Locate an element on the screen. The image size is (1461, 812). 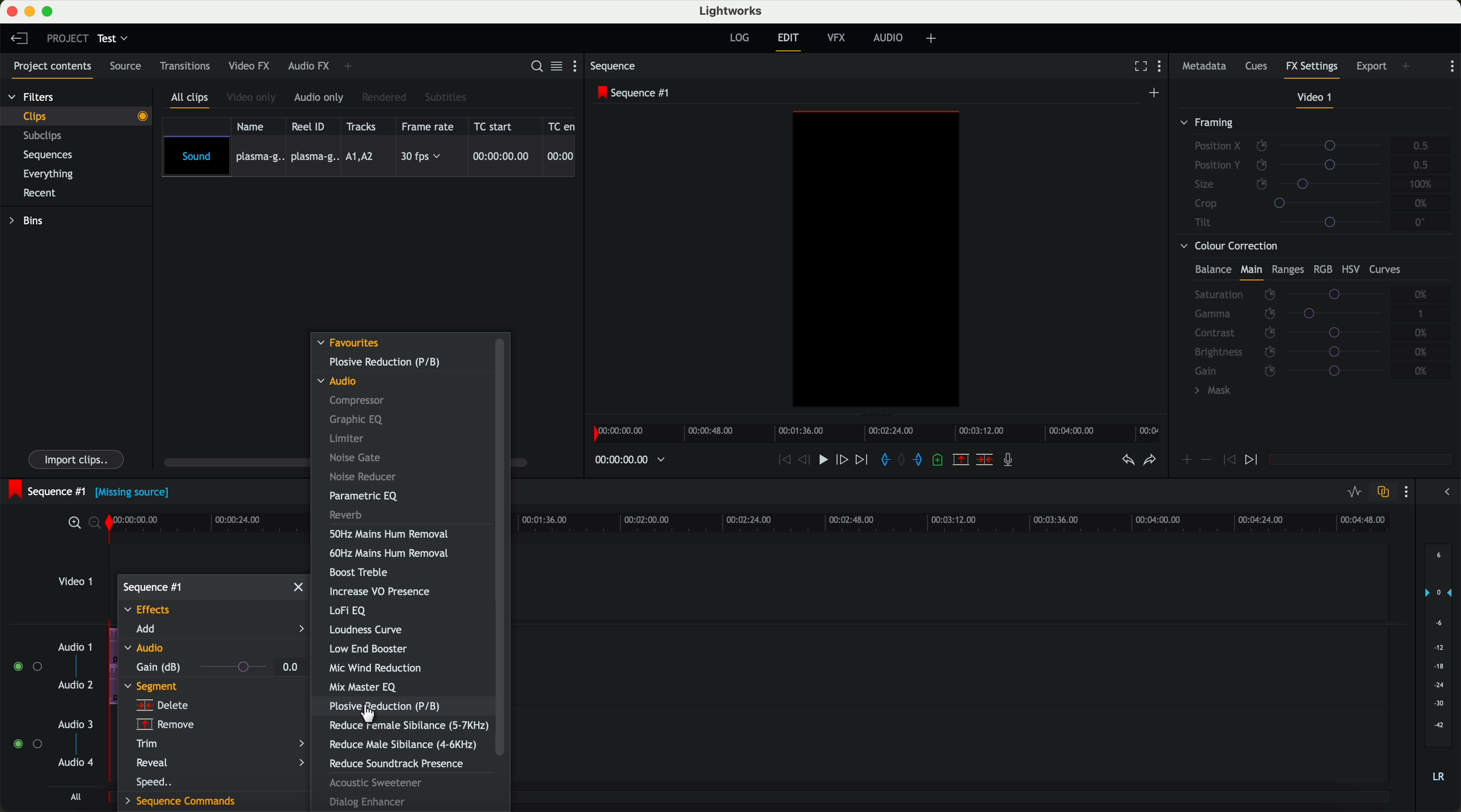
audios is located at coordinates (50, 706).